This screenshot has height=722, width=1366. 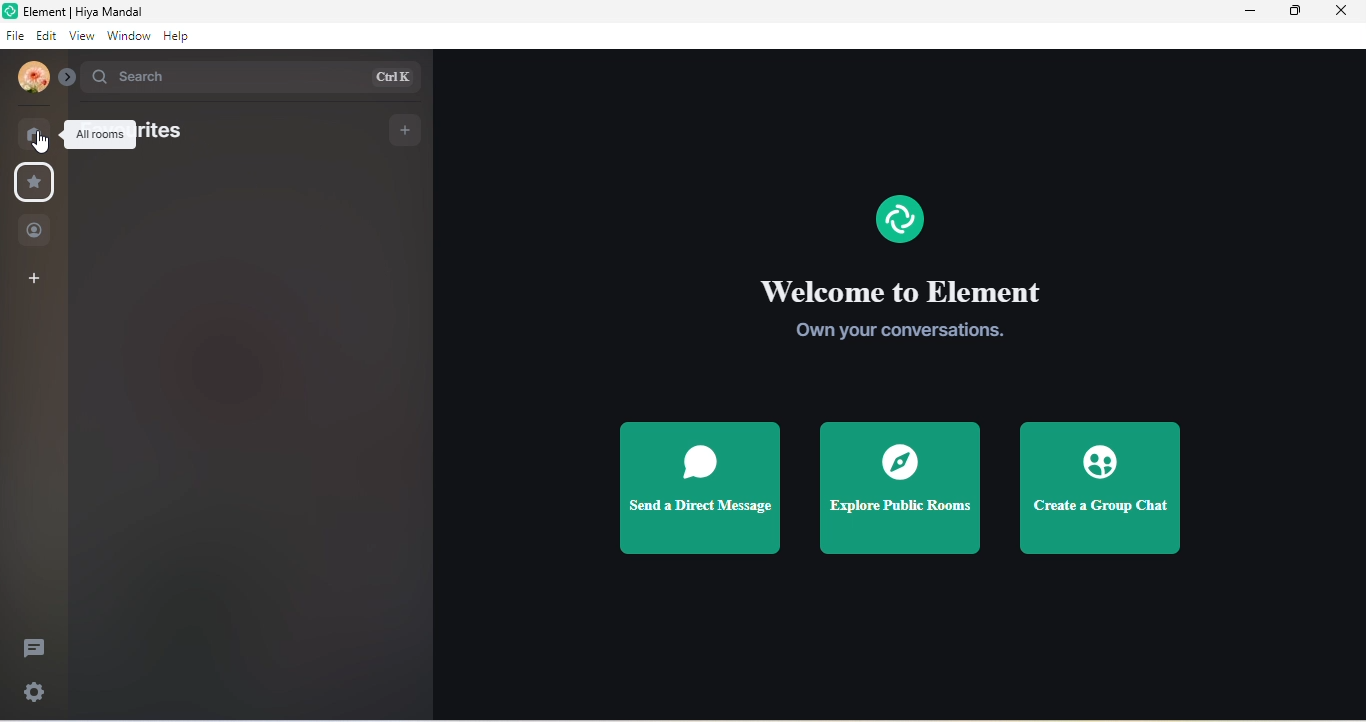 I want to click on File, so click(x=16, y=35).